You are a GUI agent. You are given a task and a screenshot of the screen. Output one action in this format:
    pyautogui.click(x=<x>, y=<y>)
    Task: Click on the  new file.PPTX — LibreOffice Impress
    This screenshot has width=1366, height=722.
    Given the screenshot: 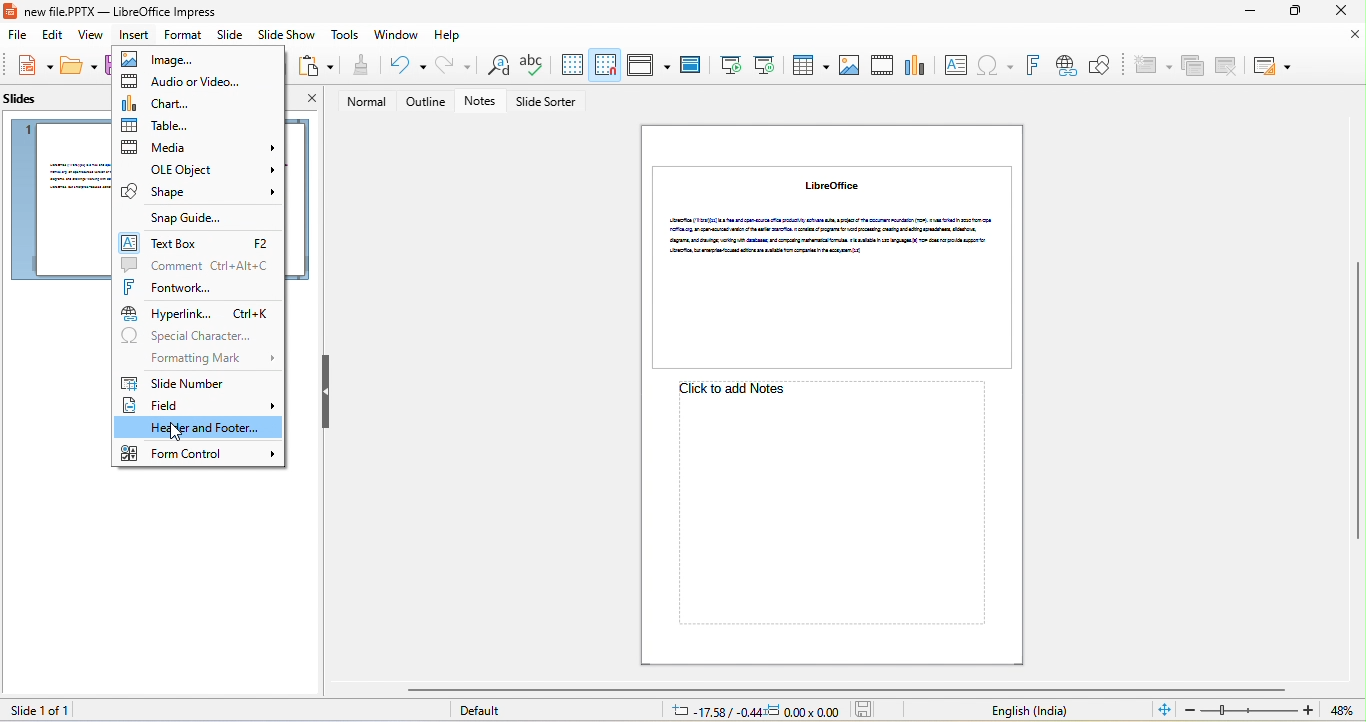 What is the action you would take?
    pyautogui.click(x=116, y=11)
    